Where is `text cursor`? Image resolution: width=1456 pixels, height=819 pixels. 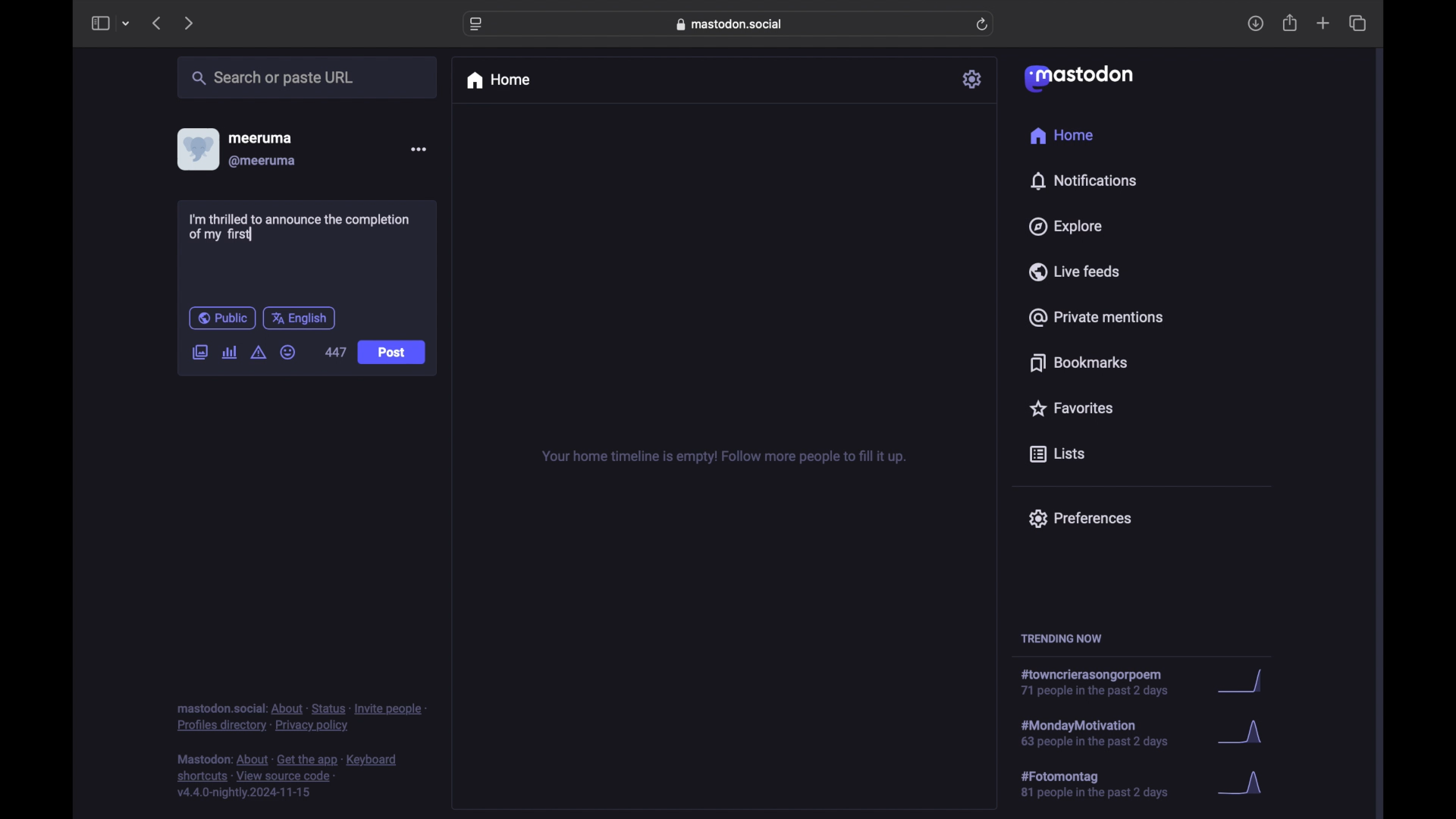 text cursor is located at coordinates (251, 233).